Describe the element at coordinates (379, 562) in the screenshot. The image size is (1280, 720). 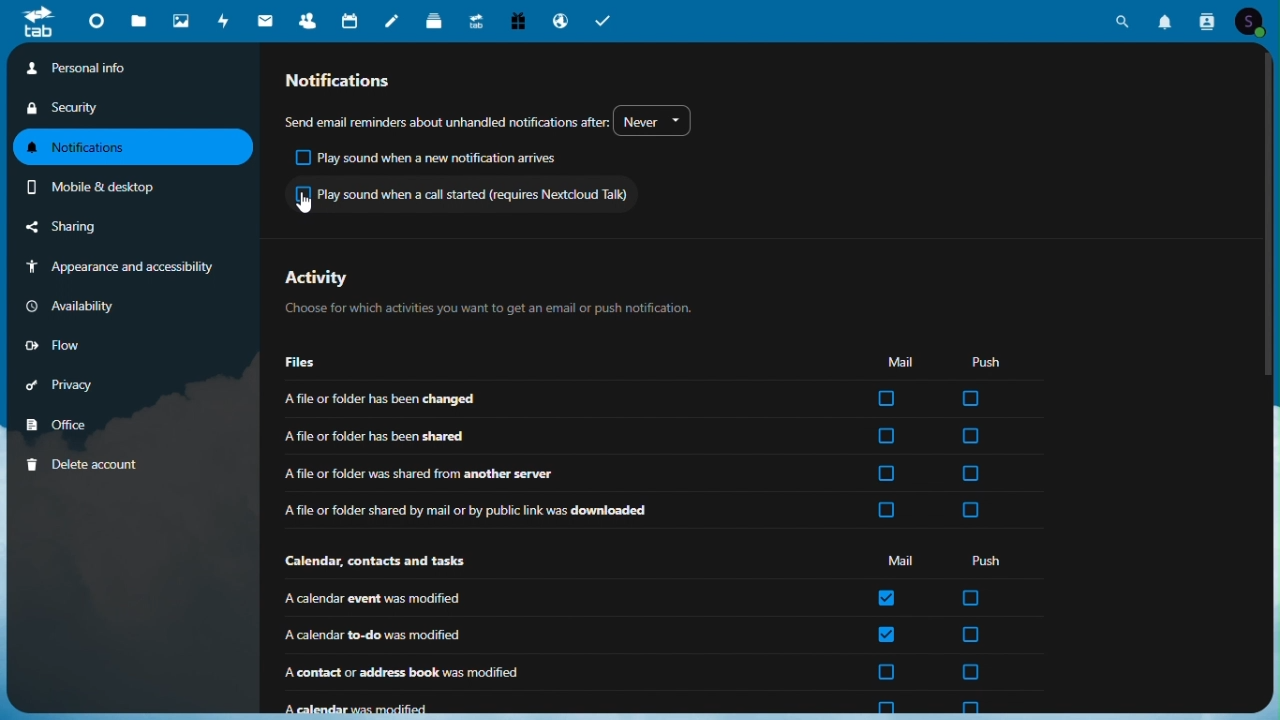
I see `Calendar contacts and tasks` at that location.